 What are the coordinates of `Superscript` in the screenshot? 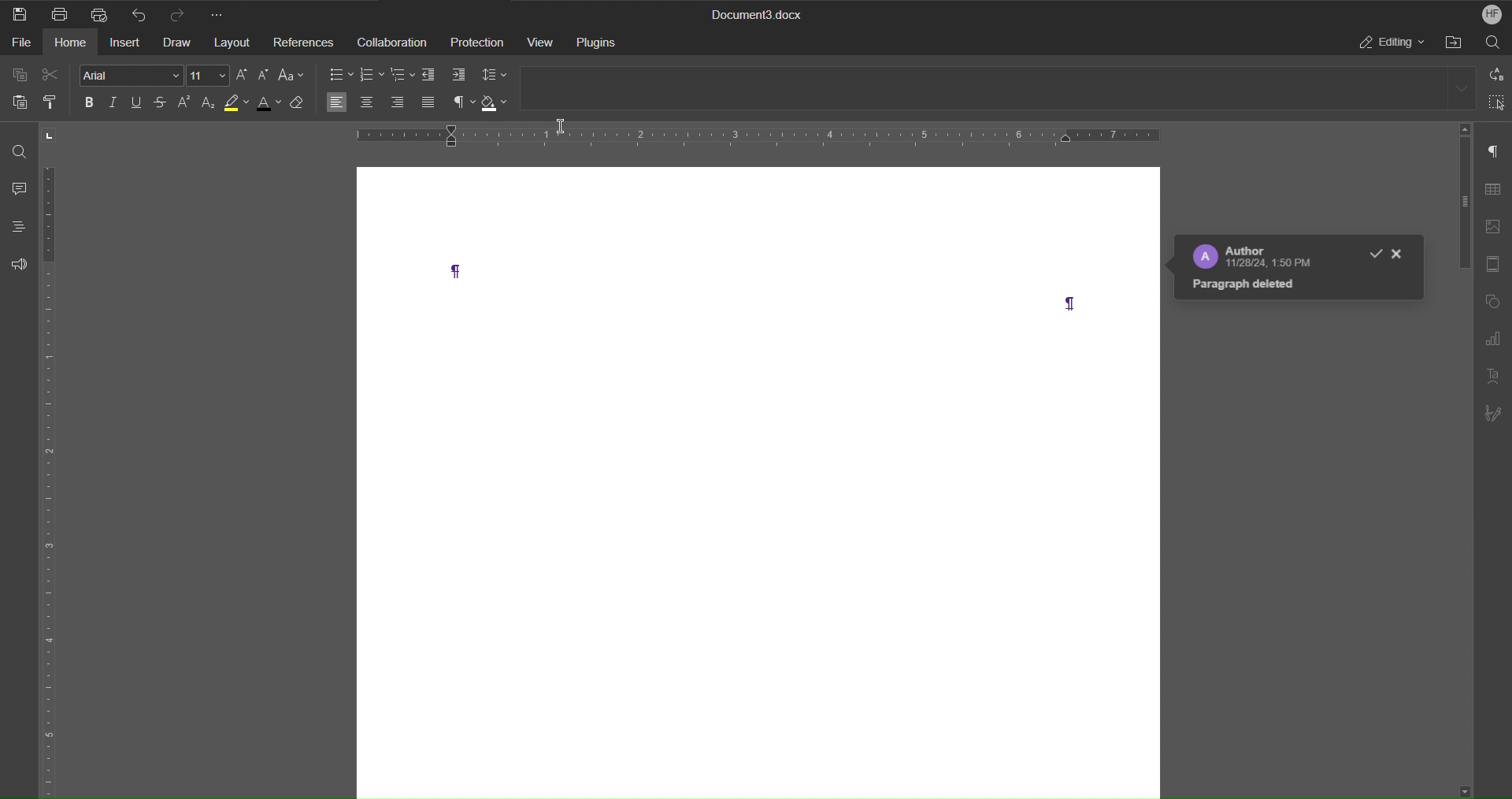 It's located at (187, 102).